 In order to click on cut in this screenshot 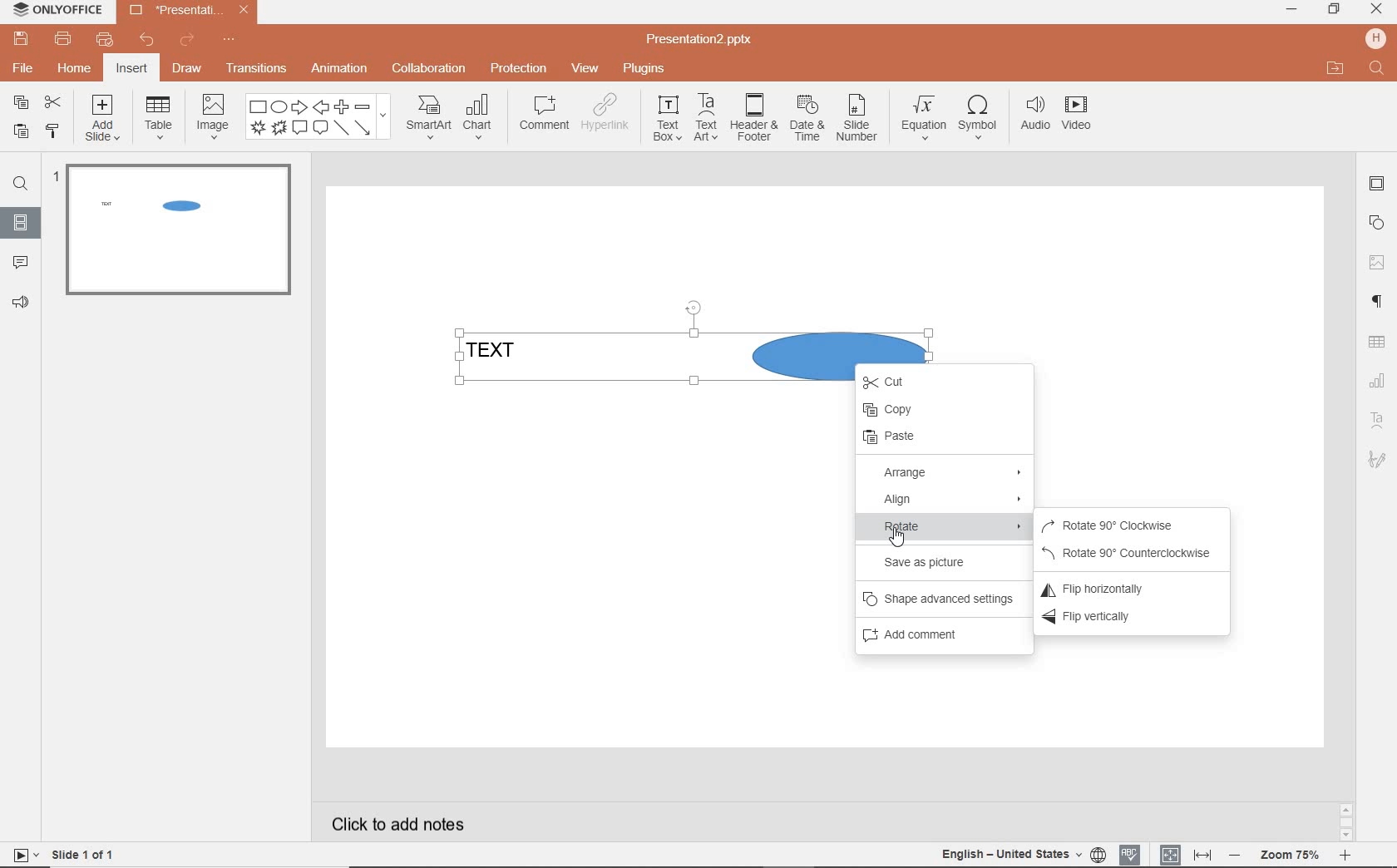, I will do `click(53, 104)`.